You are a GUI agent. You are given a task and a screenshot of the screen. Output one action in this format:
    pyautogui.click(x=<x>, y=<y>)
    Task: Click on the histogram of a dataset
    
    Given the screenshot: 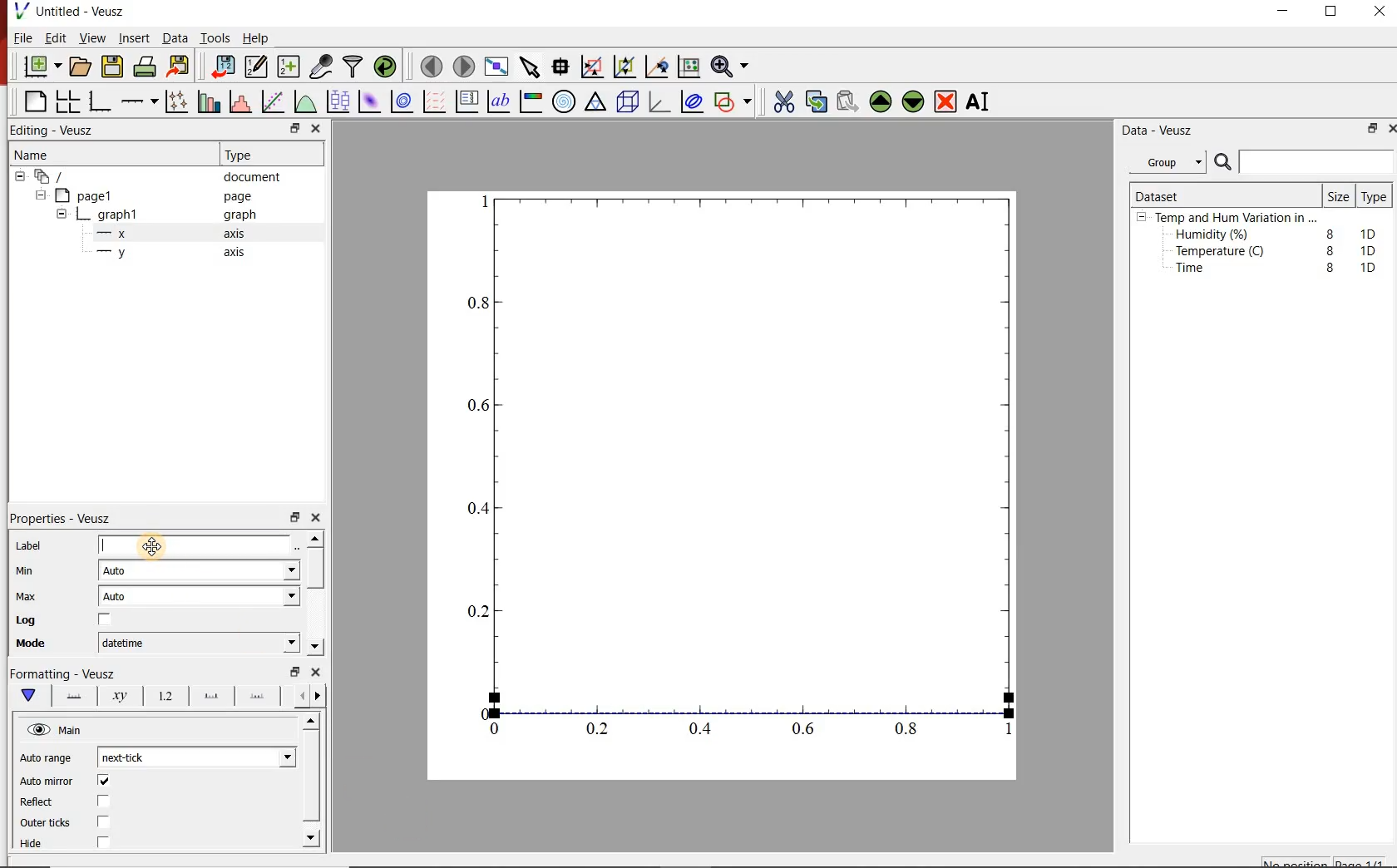 What is the action you would take?
    pyautogui.click(x=243, y=101)
    